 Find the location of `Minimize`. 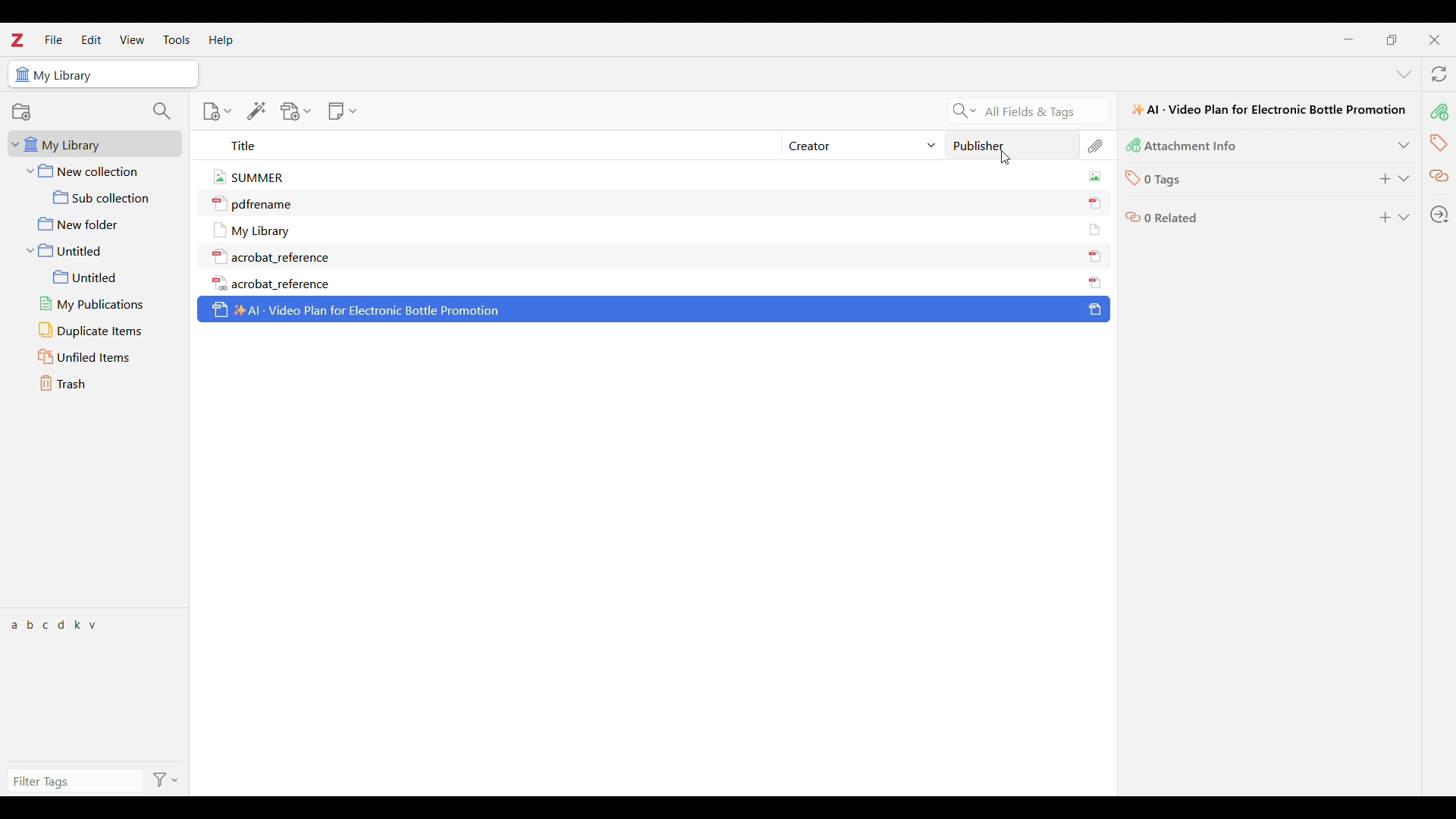

Minimize is located at coordinates (1351, 41).